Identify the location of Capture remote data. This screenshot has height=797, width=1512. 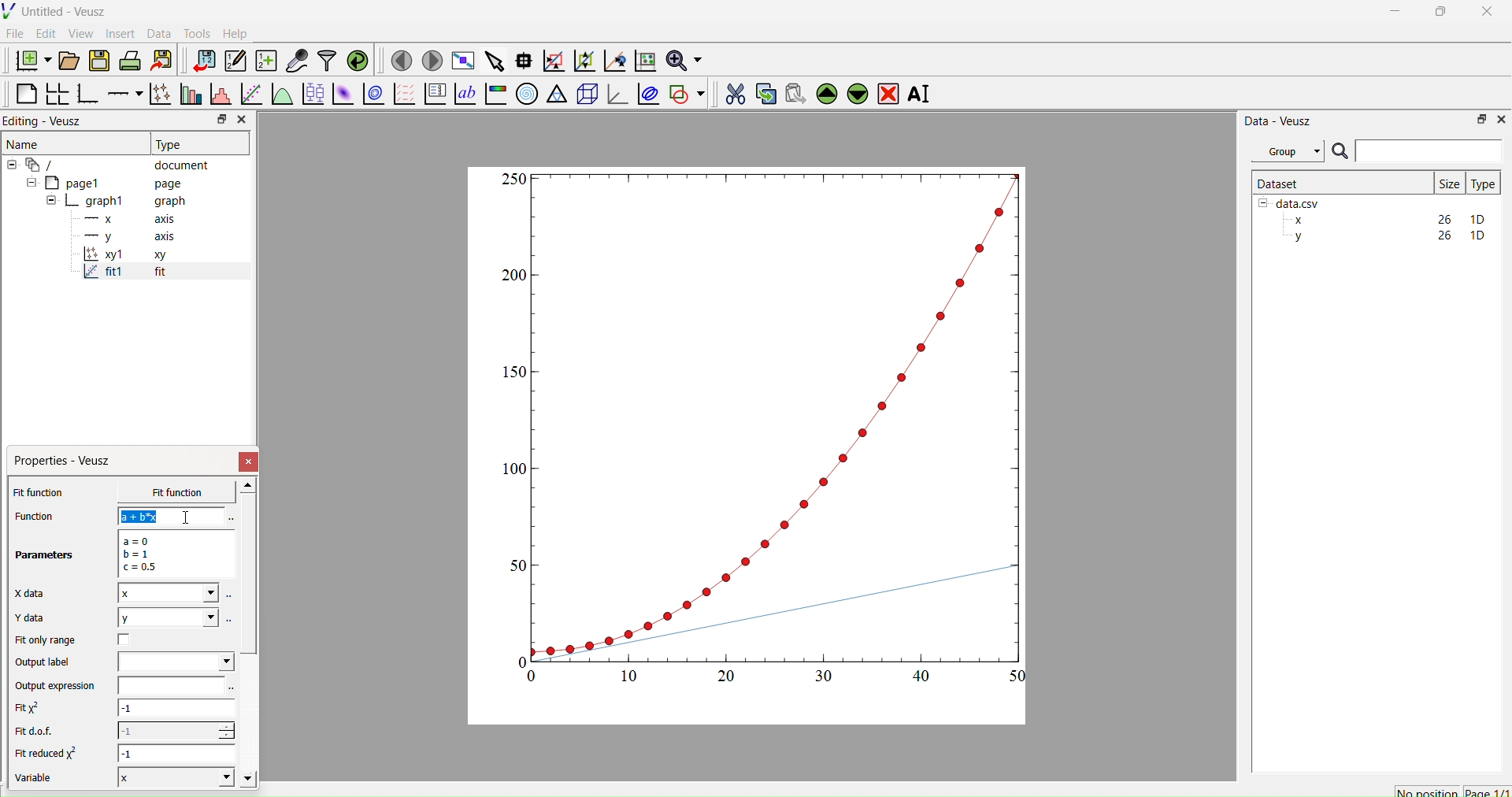
(297, 61).